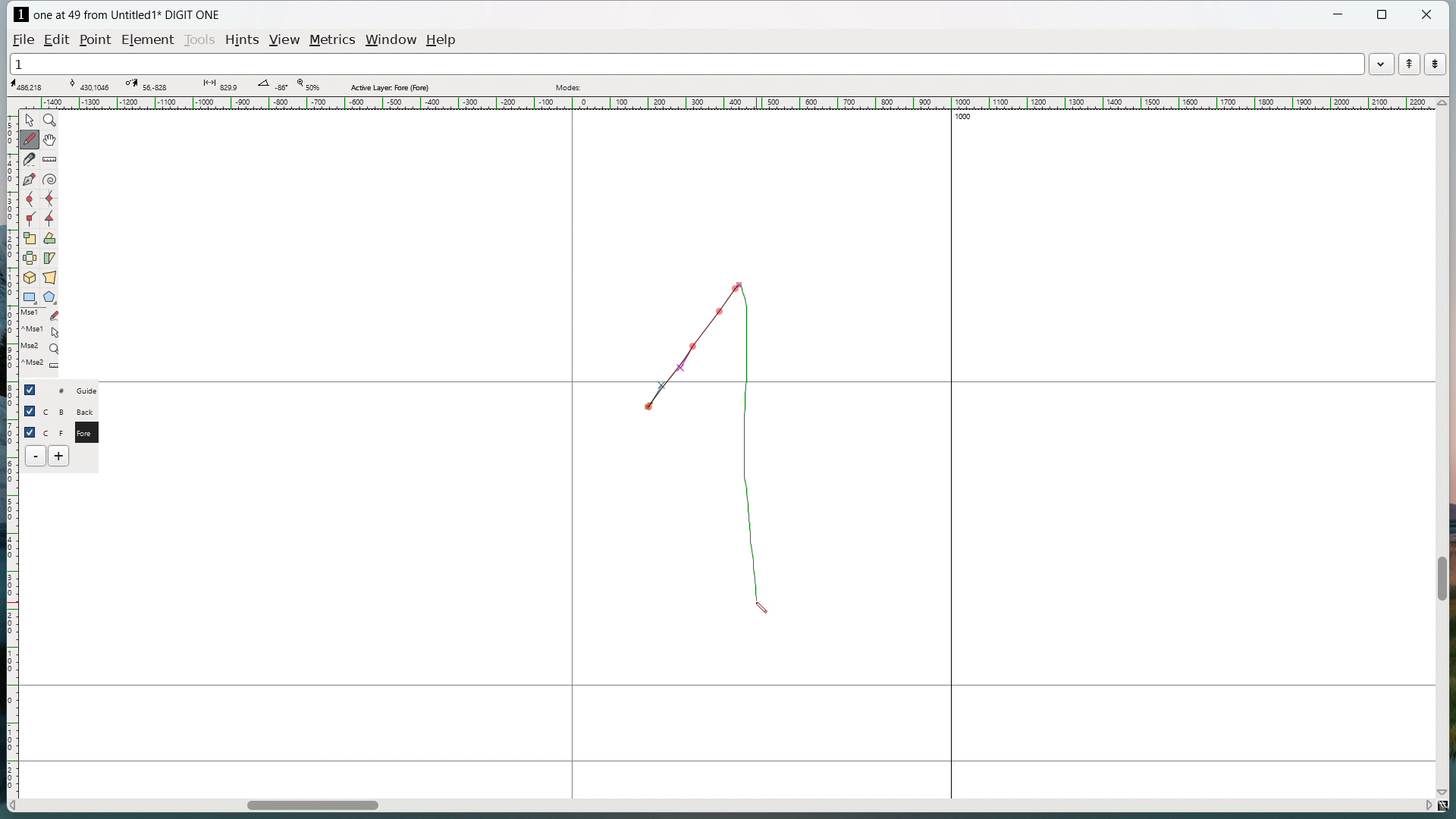 The height and width of the screenshot is (819, 1456). What do you see at coordinates (30, 411) in the screenshot?
I see `checkbox` at bounding box center [30, 411].